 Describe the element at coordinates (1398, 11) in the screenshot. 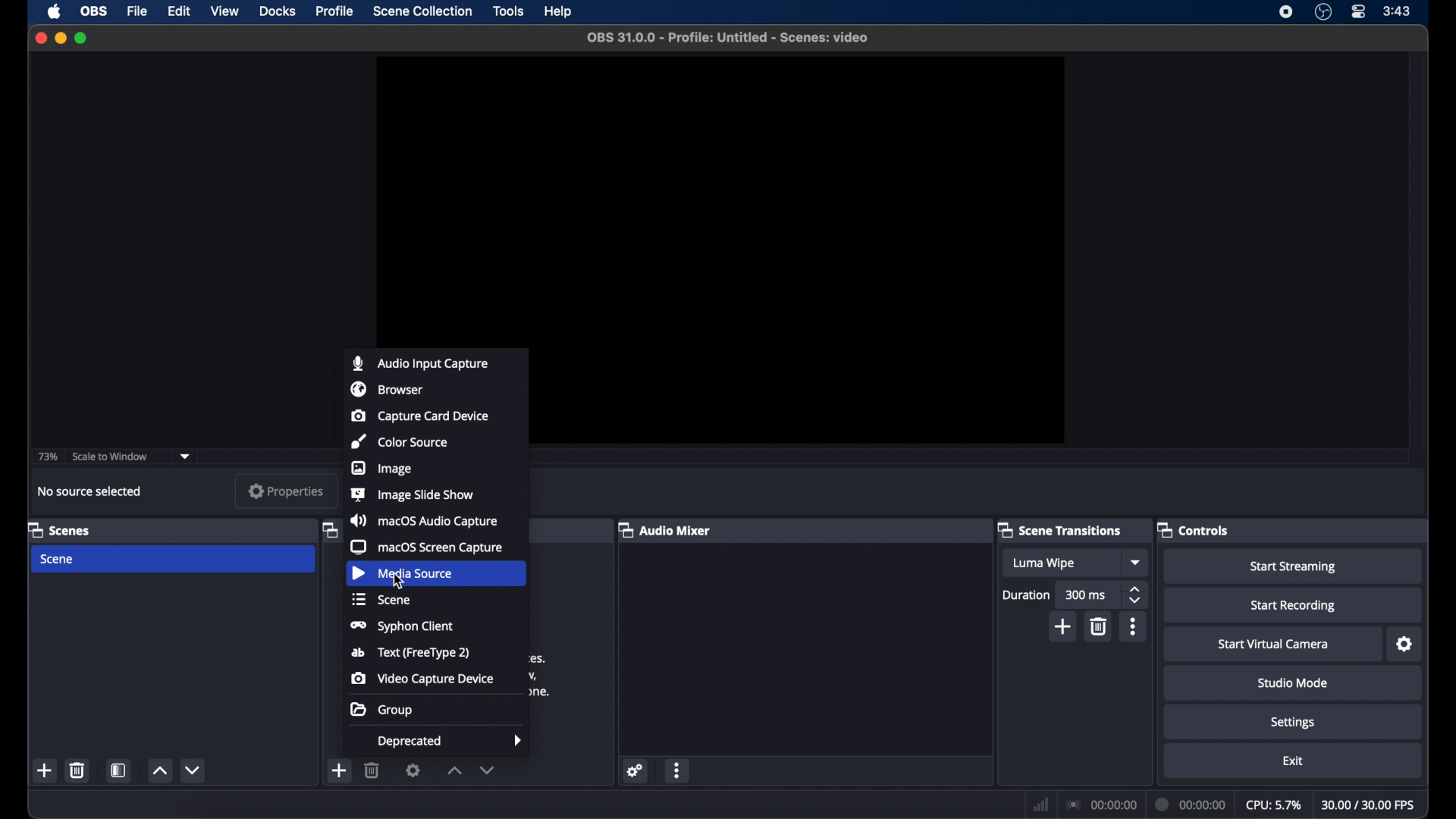

I see `3:43` at that location.